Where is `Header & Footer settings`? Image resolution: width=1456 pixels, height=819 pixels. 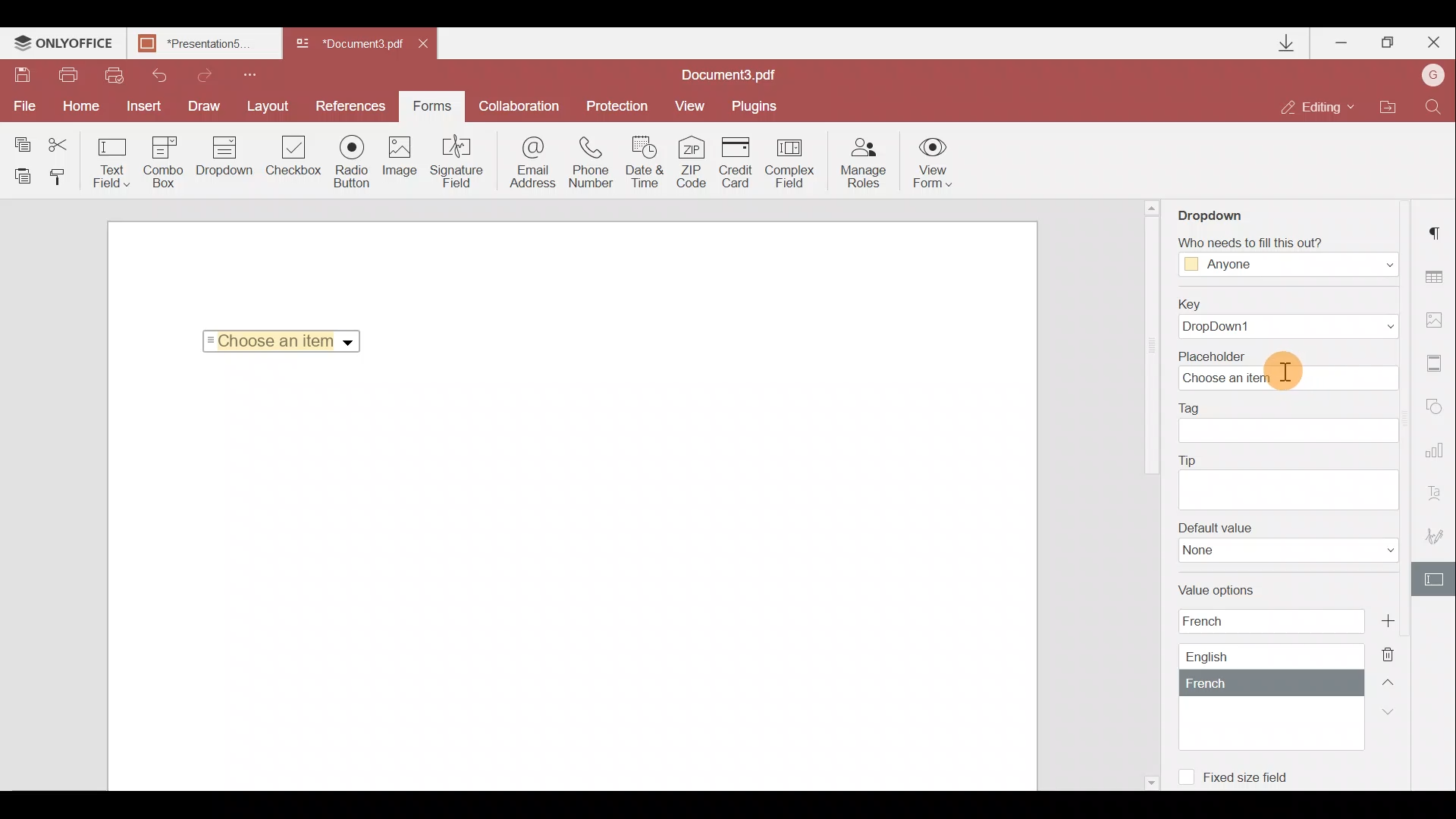
Header & Footer settings is located at coordinates (1438, 366).